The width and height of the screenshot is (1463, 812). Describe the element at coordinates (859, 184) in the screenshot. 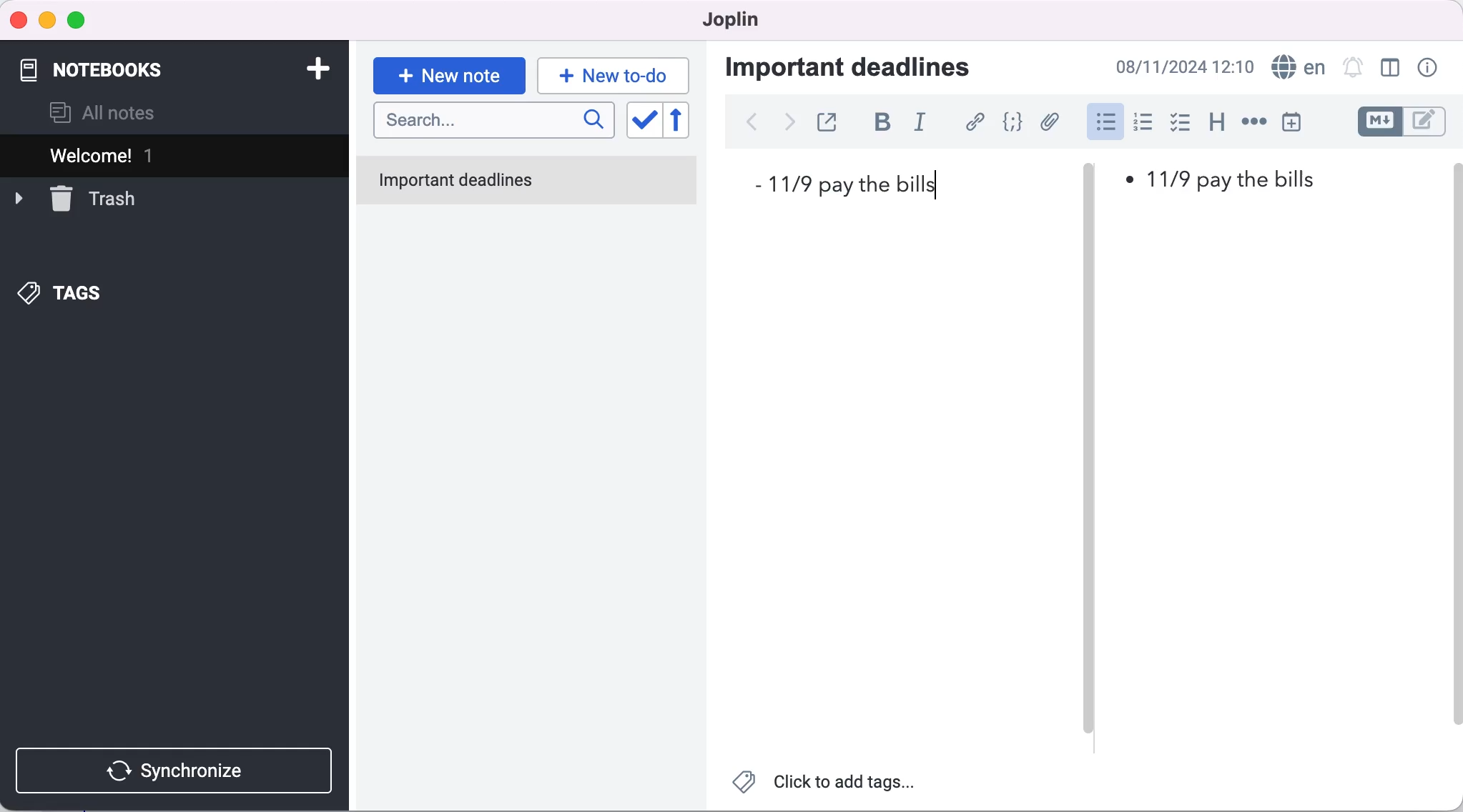

I see `deadline 1` at that location.